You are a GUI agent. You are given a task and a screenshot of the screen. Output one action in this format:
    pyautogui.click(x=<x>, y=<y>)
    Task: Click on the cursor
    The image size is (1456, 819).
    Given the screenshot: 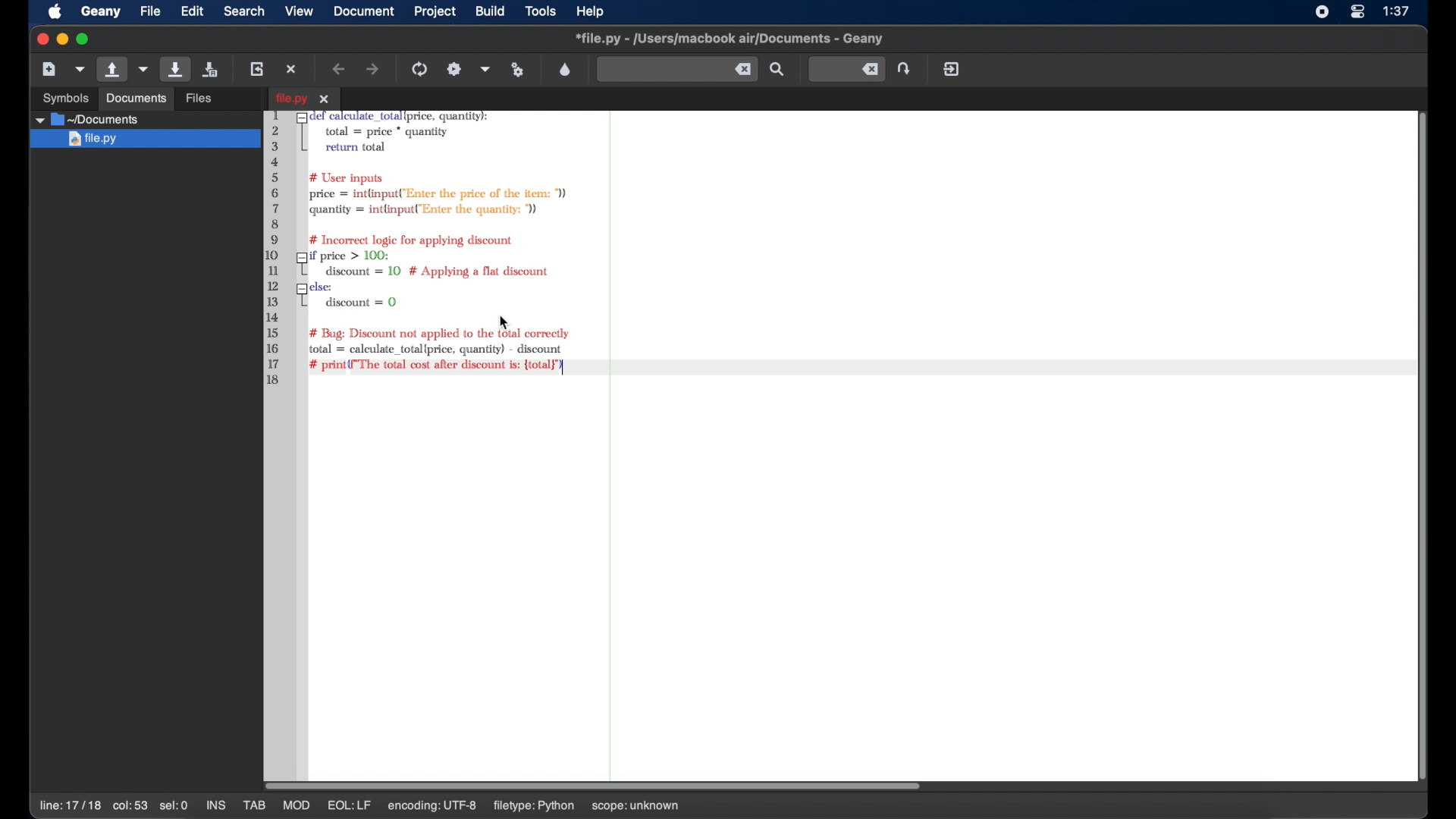 What is the action you would take?
    pyautogui.click(x=504, y=323)
    